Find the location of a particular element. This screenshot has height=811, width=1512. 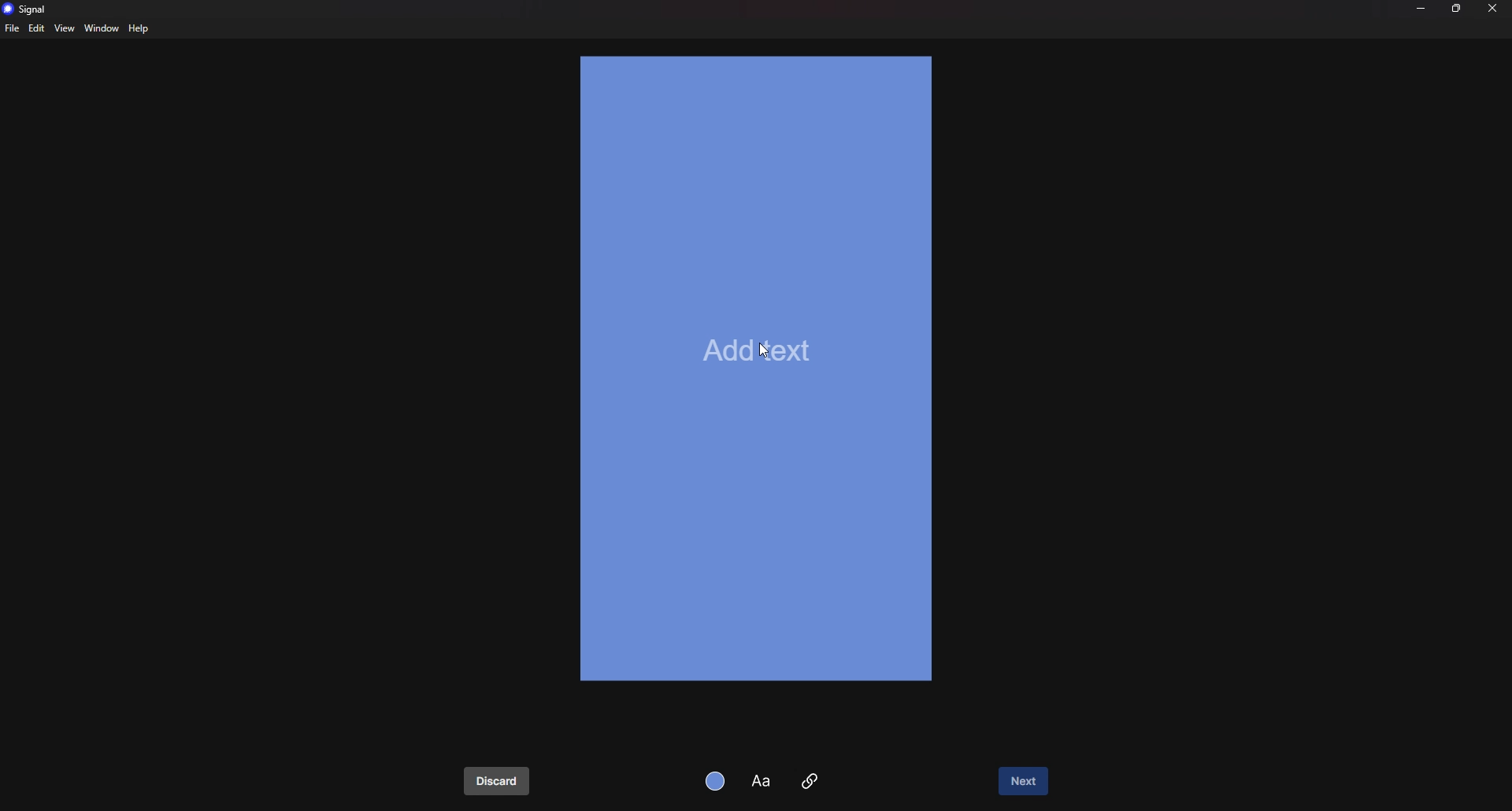

cursor is located at coordinates (766, 350).